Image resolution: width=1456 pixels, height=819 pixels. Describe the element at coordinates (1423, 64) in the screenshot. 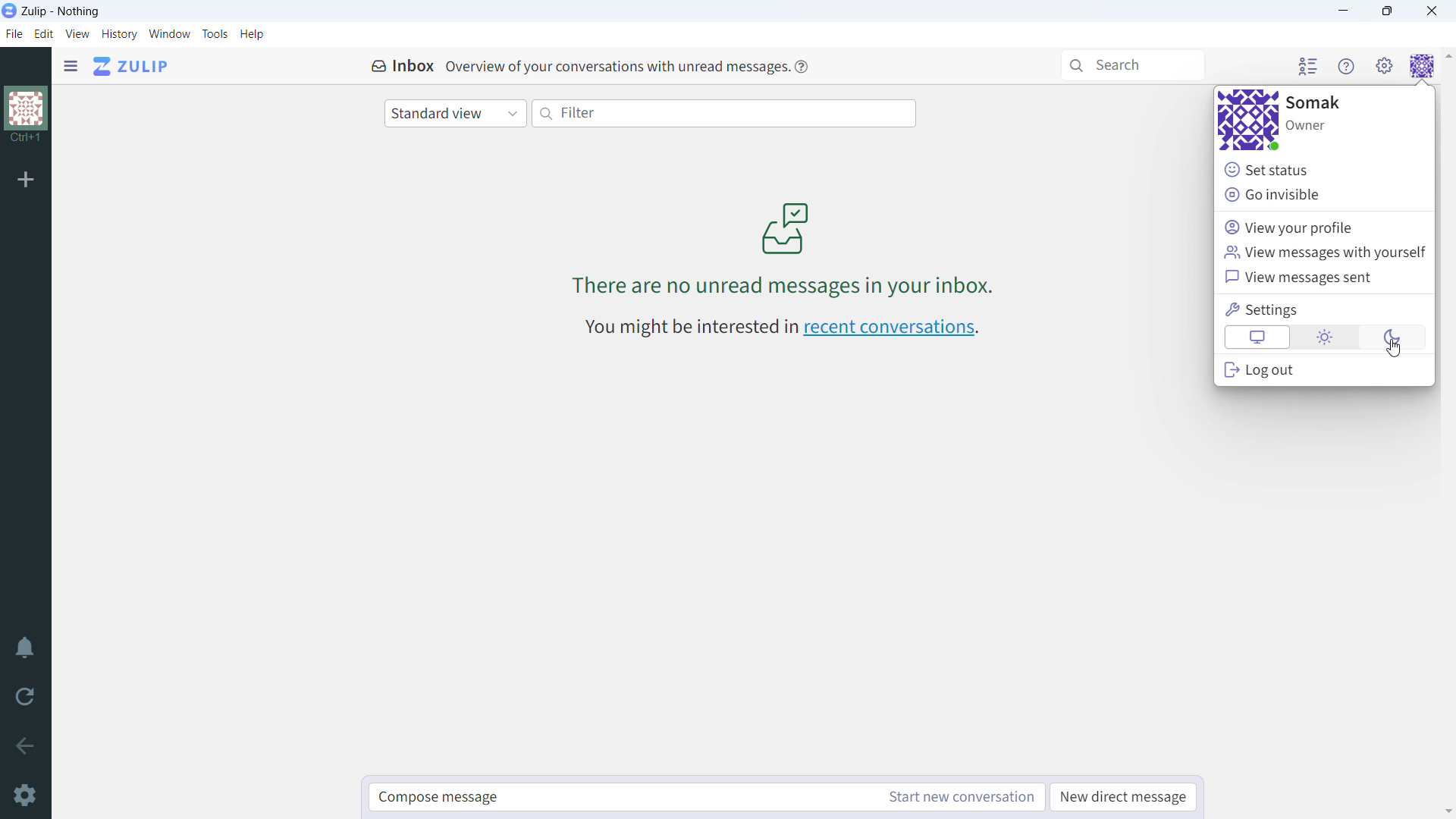

I see `personal menu` at that location.